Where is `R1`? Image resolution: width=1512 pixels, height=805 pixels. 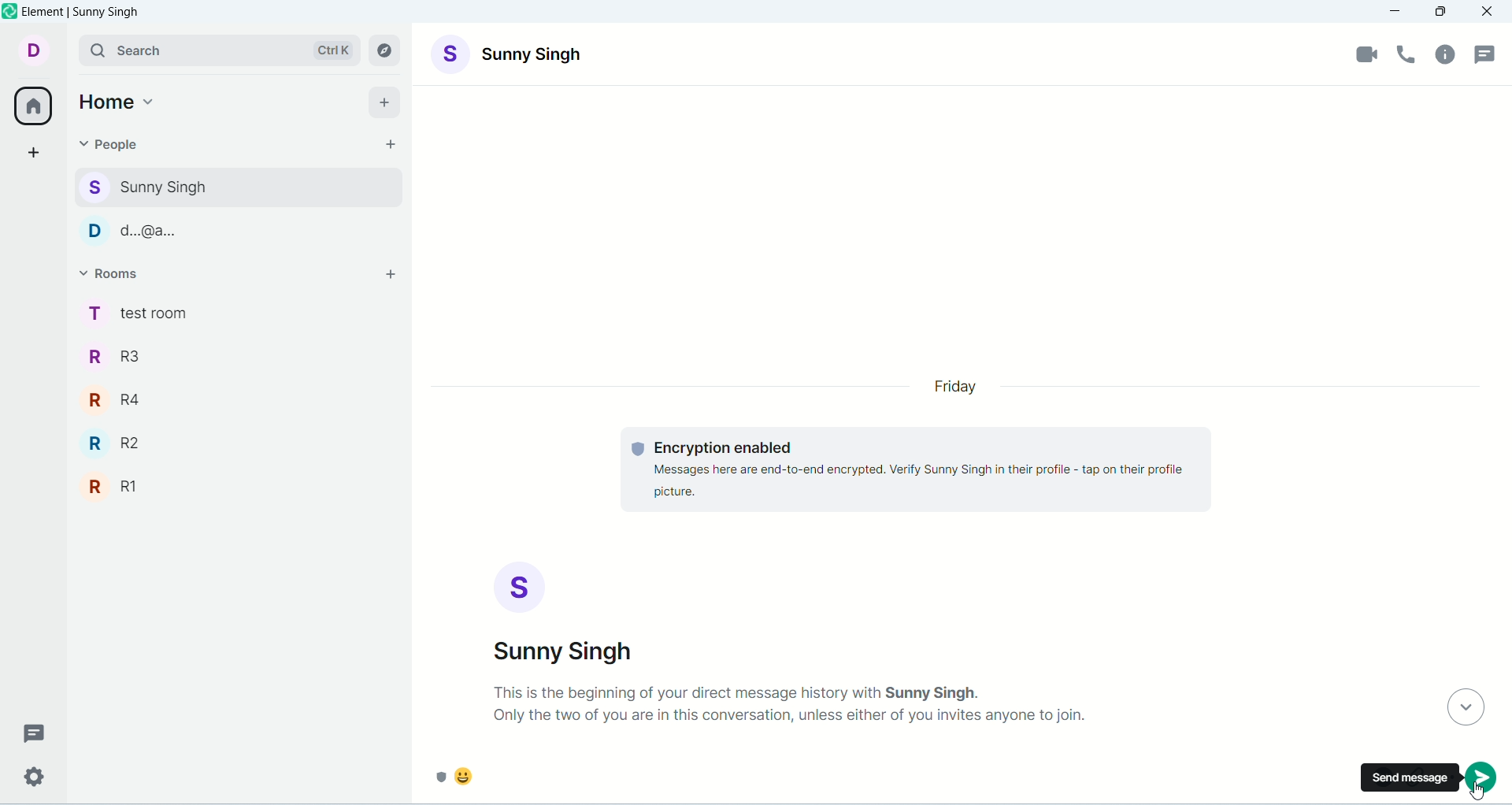
R1 is located at coordinates (239, 482).